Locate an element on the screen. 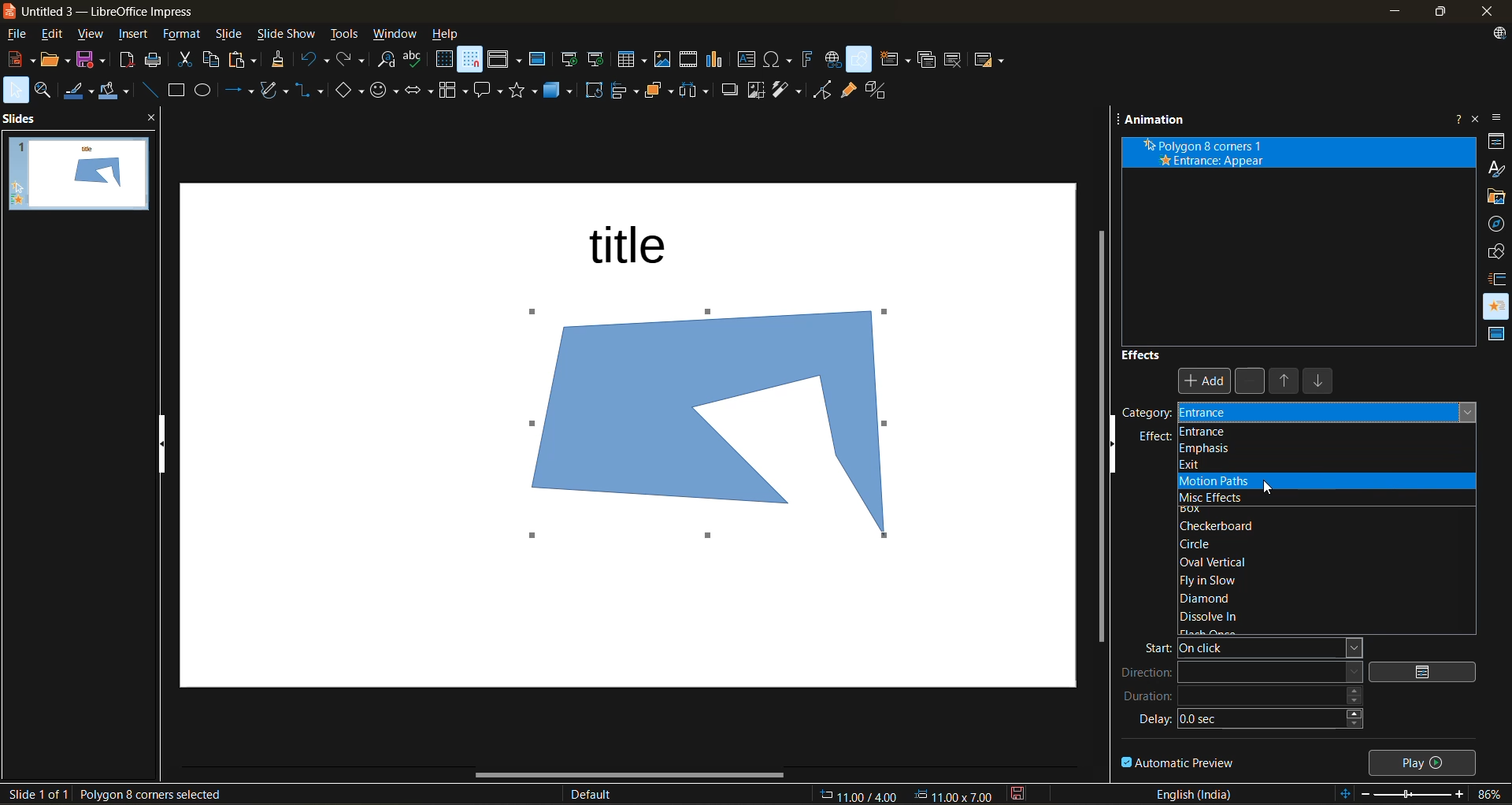 This screenshot has width=1512, height=805. slides is located at coordinates (87, 173).